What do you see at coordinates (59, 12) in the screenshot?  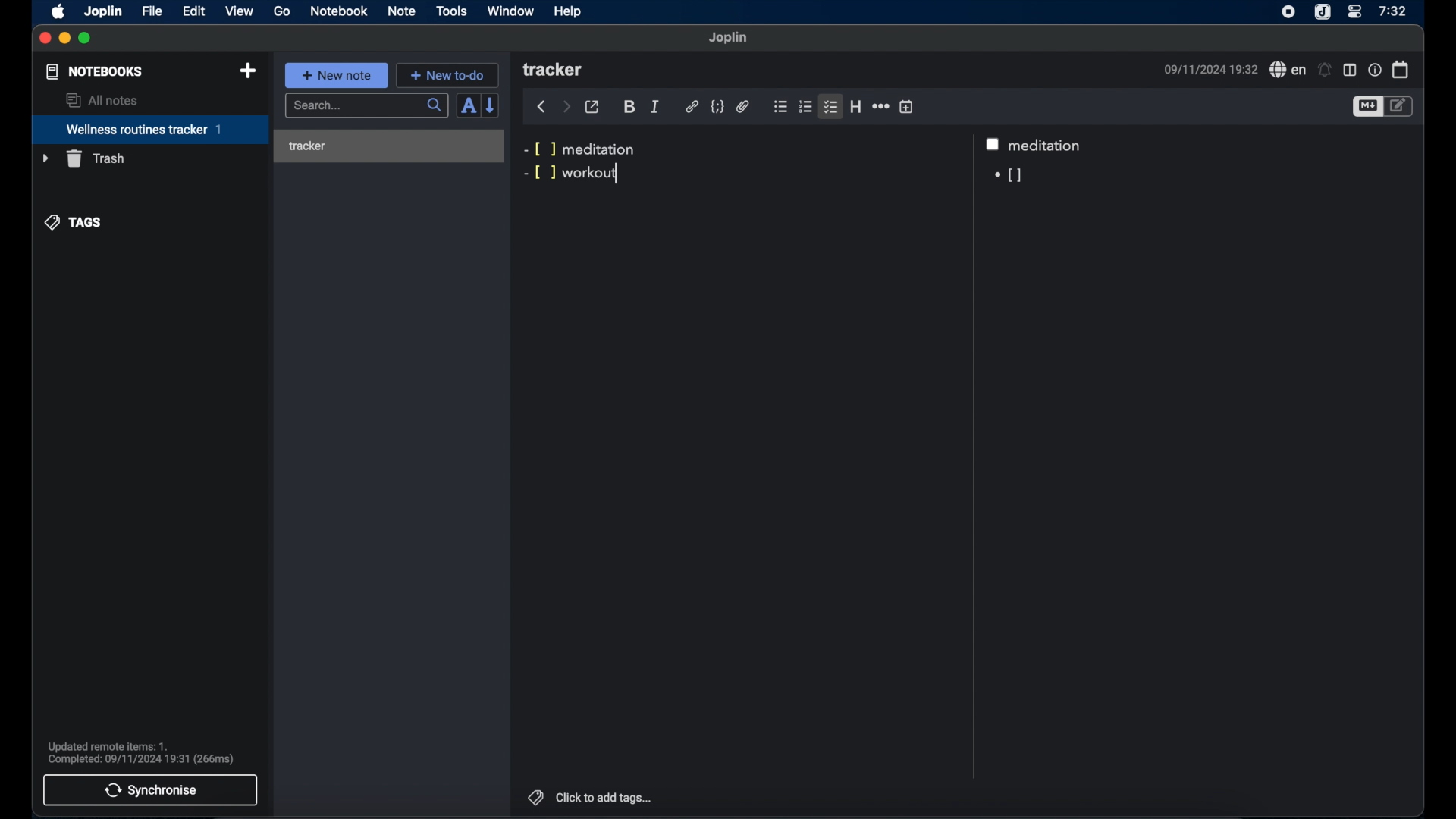 I see `apple icon` at bounding box center [59, 12].